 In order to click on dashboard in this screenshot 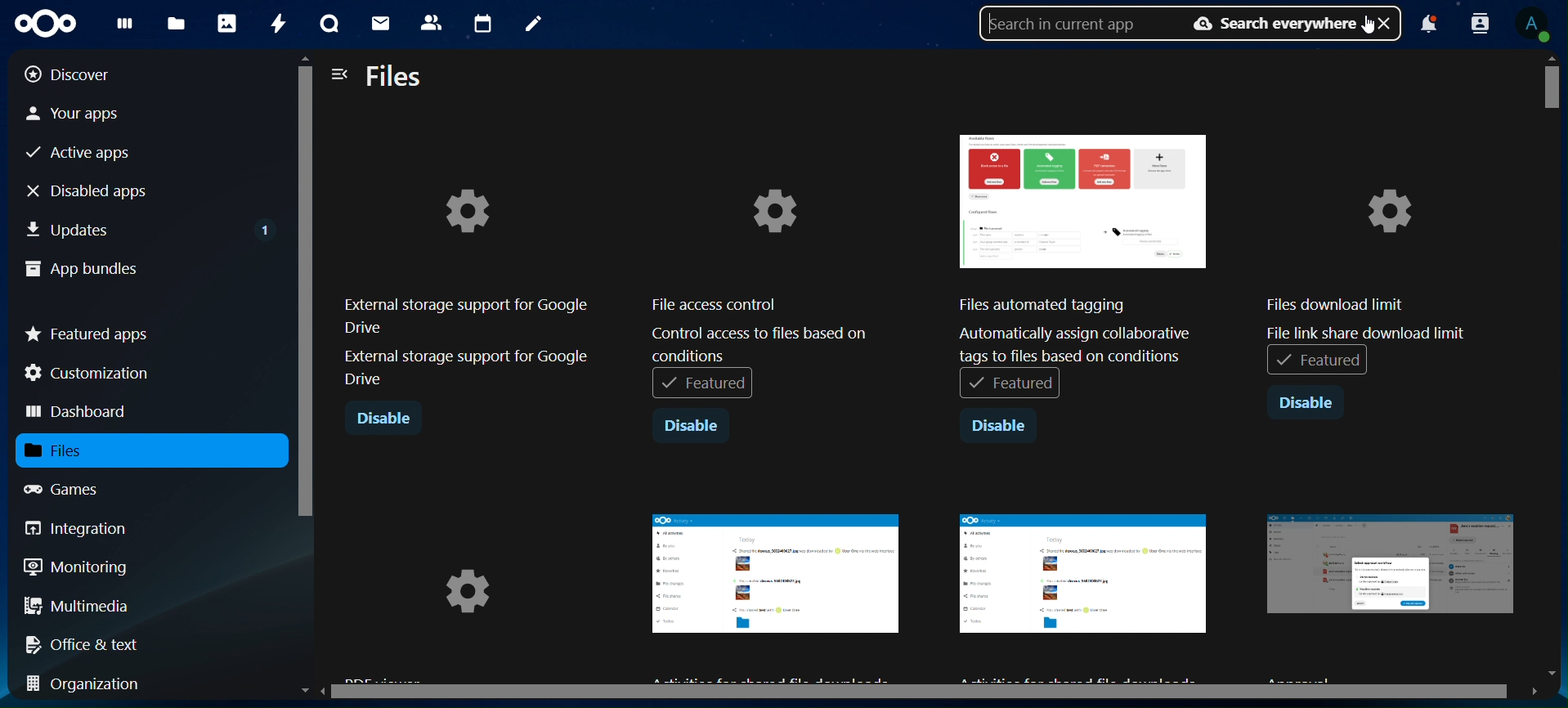, I will do `click(124, 27)`.